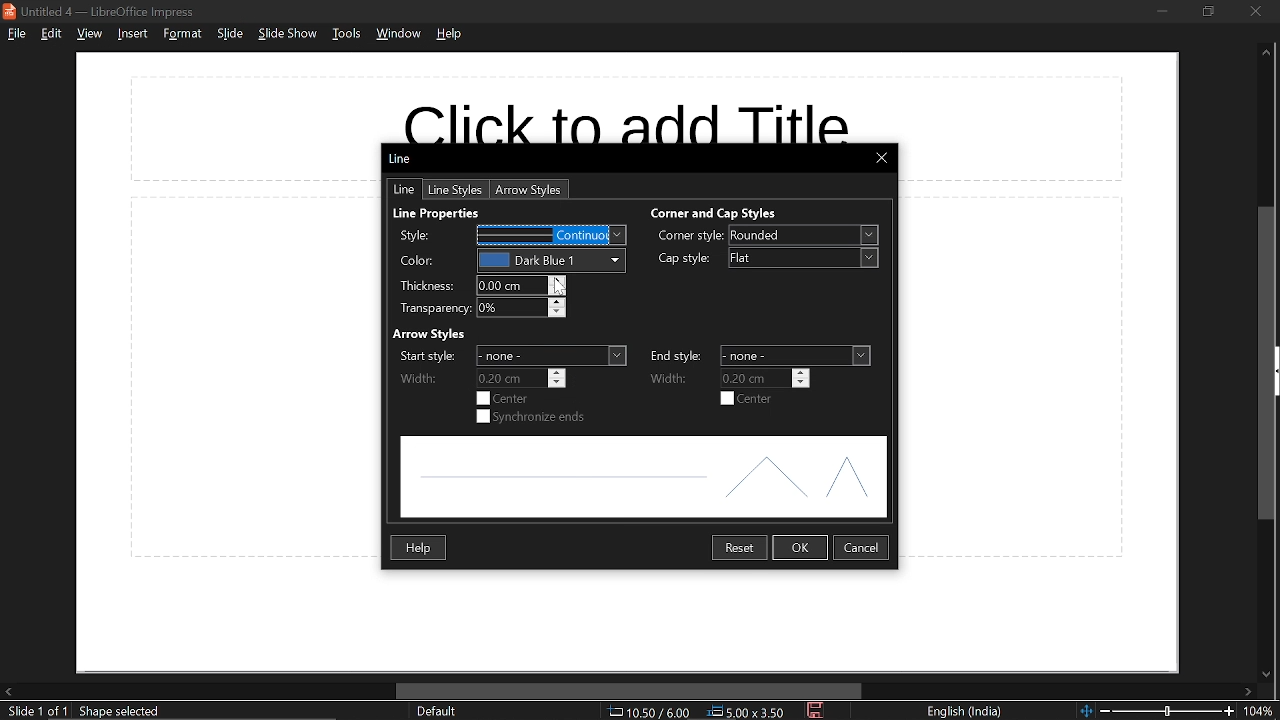 This screenshot has height=720, width=1280. Describe the element at coordinates (428, 366) in the screenshot. I see `Lables` at that location.